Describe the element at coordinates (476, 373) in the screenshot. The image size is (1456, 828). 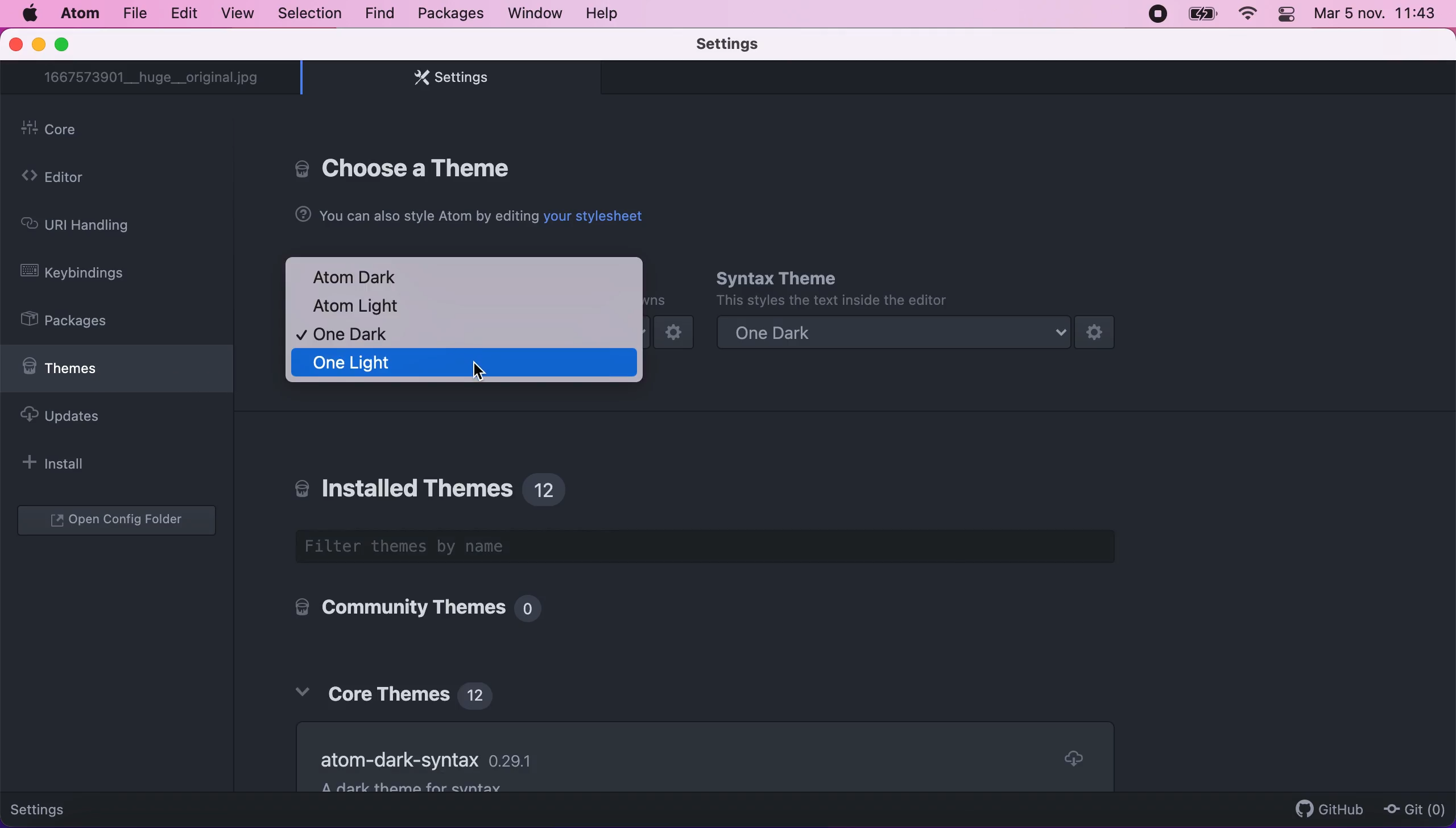
I see `cursor` at that location.